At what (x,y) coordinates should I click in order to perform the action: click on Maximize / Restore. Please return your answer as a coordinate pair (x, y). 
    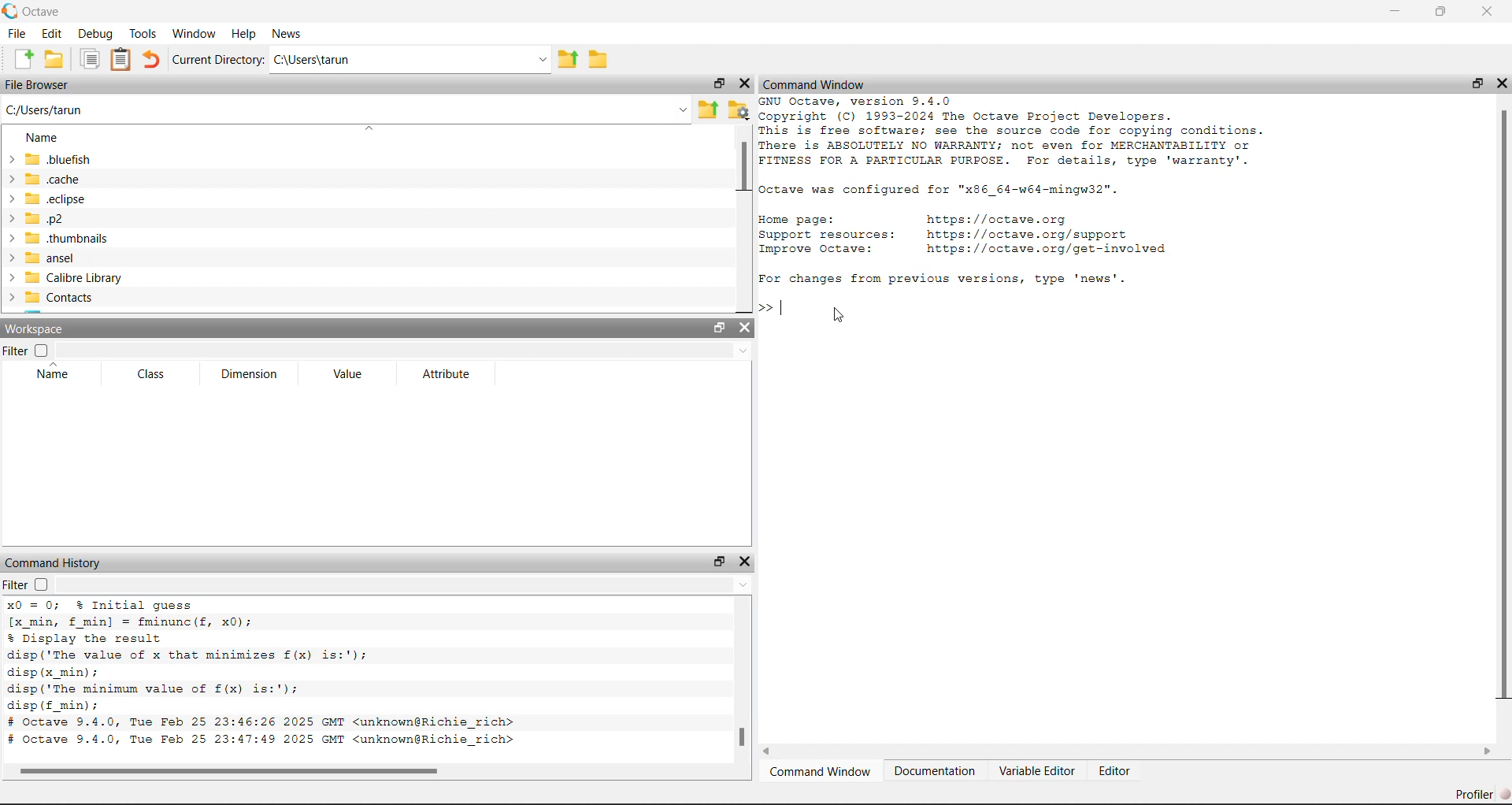
    Looking at the image, I should click on (717, 558).